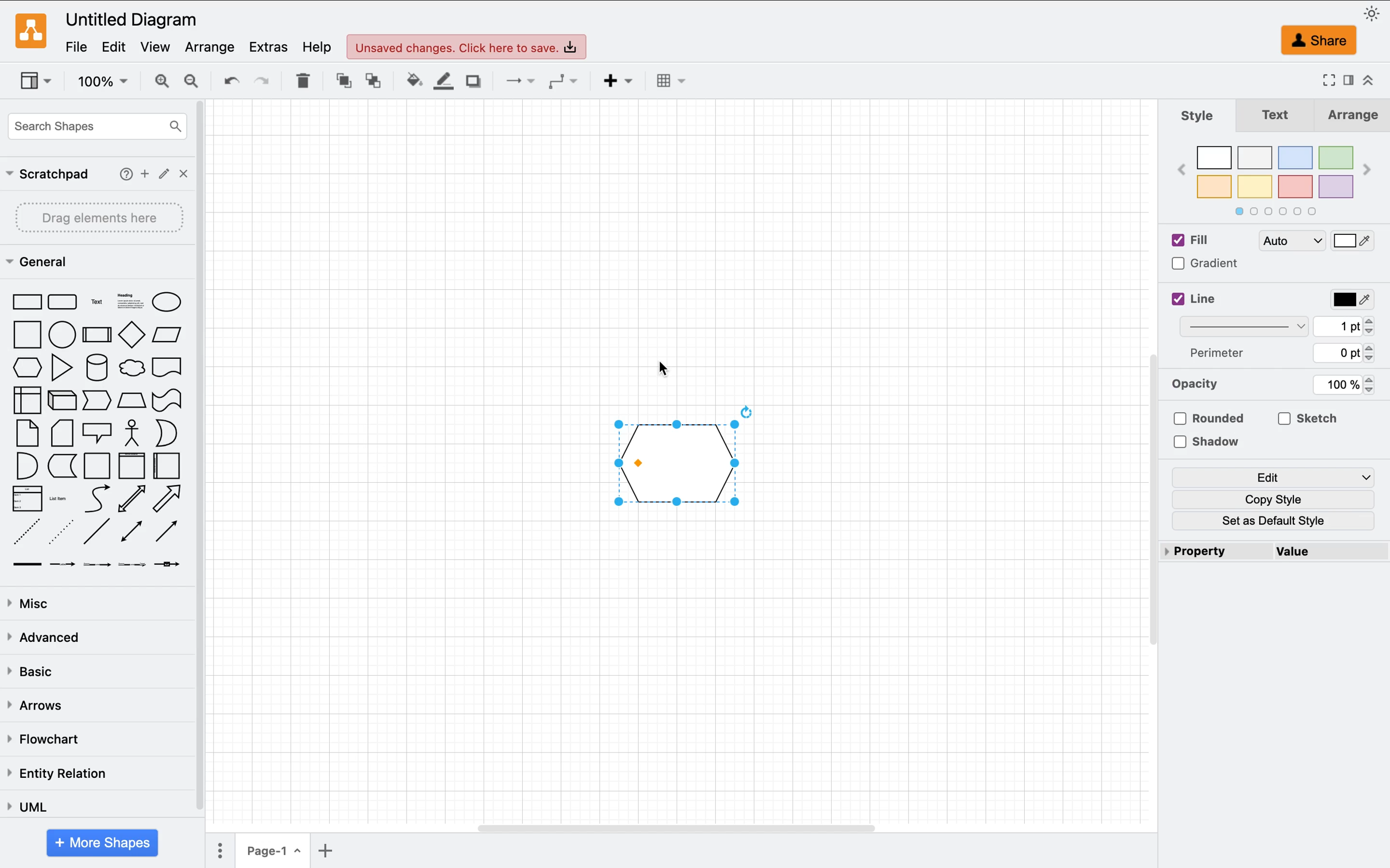  I want to click on view, so click(37, 82).